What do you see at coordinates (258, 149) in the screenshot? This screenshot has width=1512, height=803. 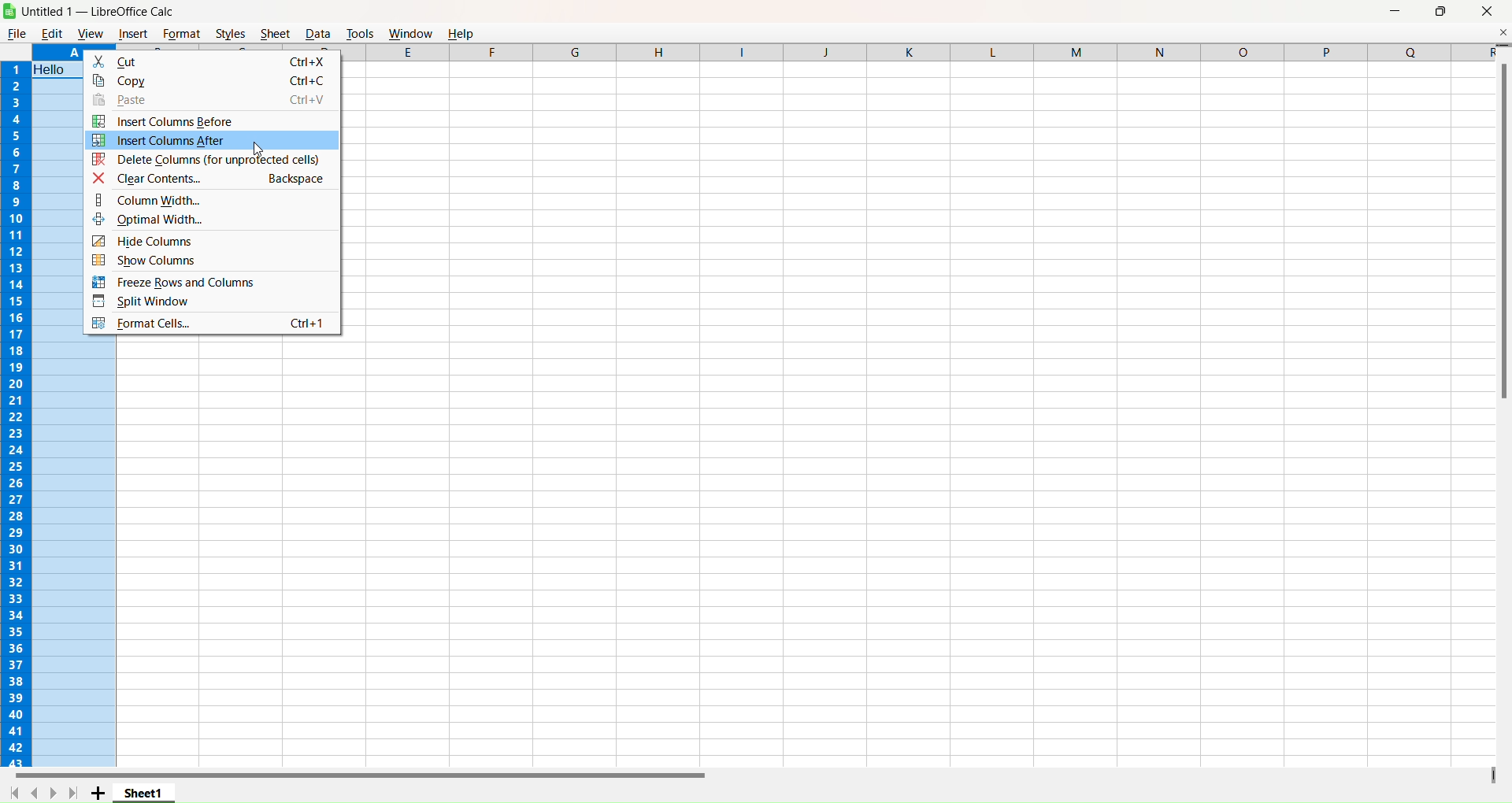 I see `cursor` at bounding box center [258, 149].